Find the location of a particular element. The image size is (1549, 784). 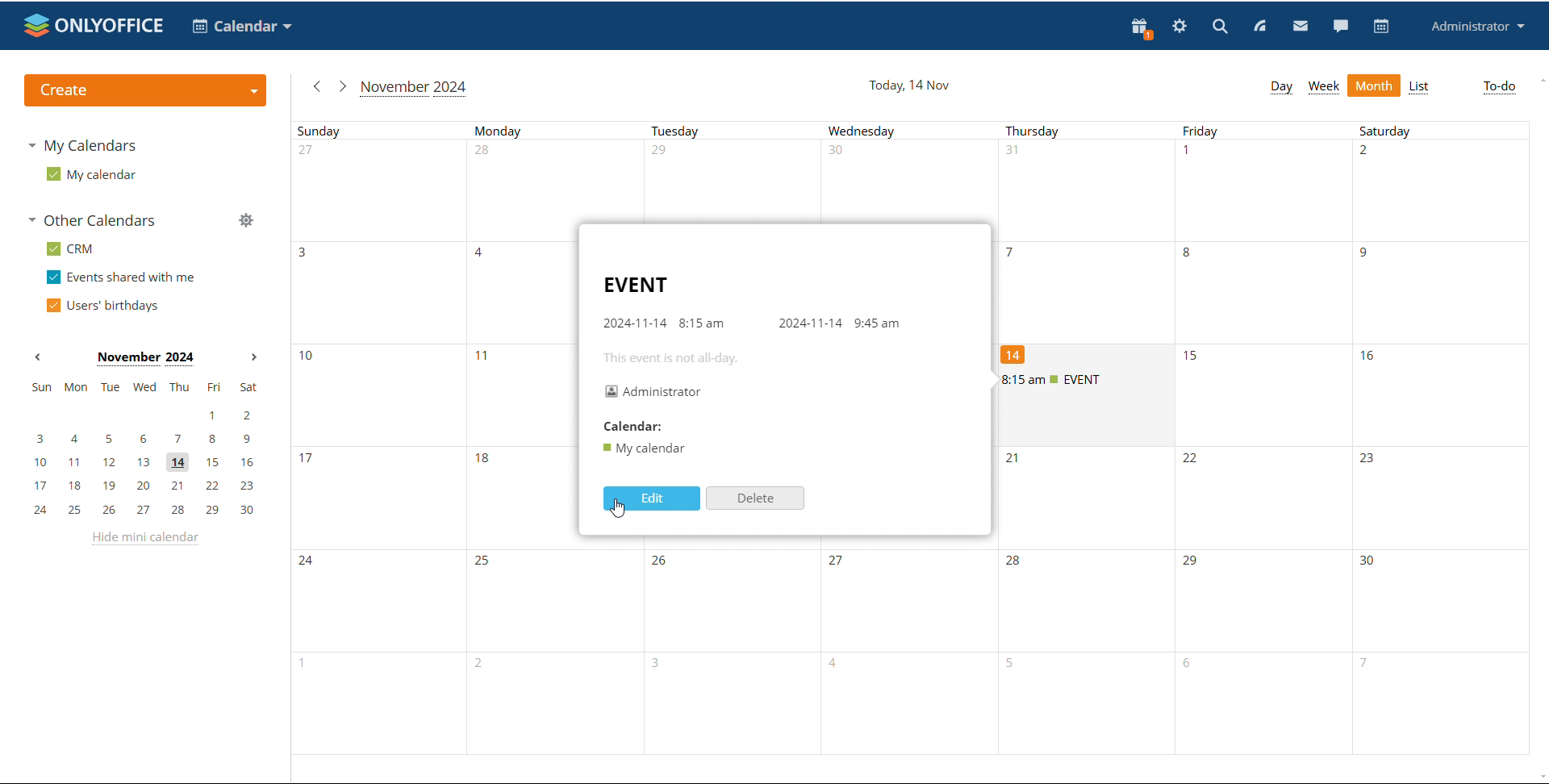

create is located at coordinates (145, 90).